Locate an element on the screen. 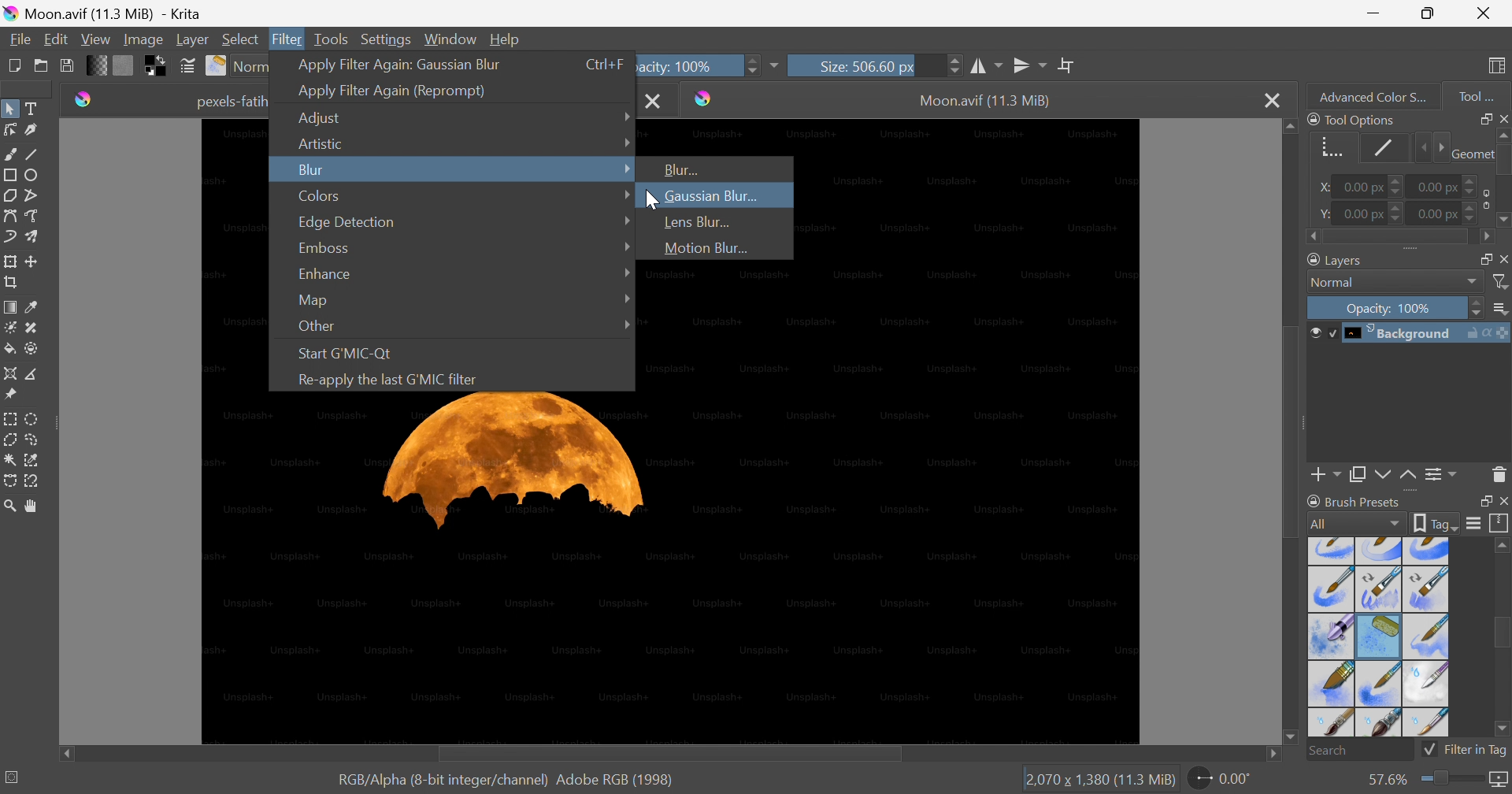 This screenshot has width=1512, height=794. Restore down is located at coordinates (1480, 258).